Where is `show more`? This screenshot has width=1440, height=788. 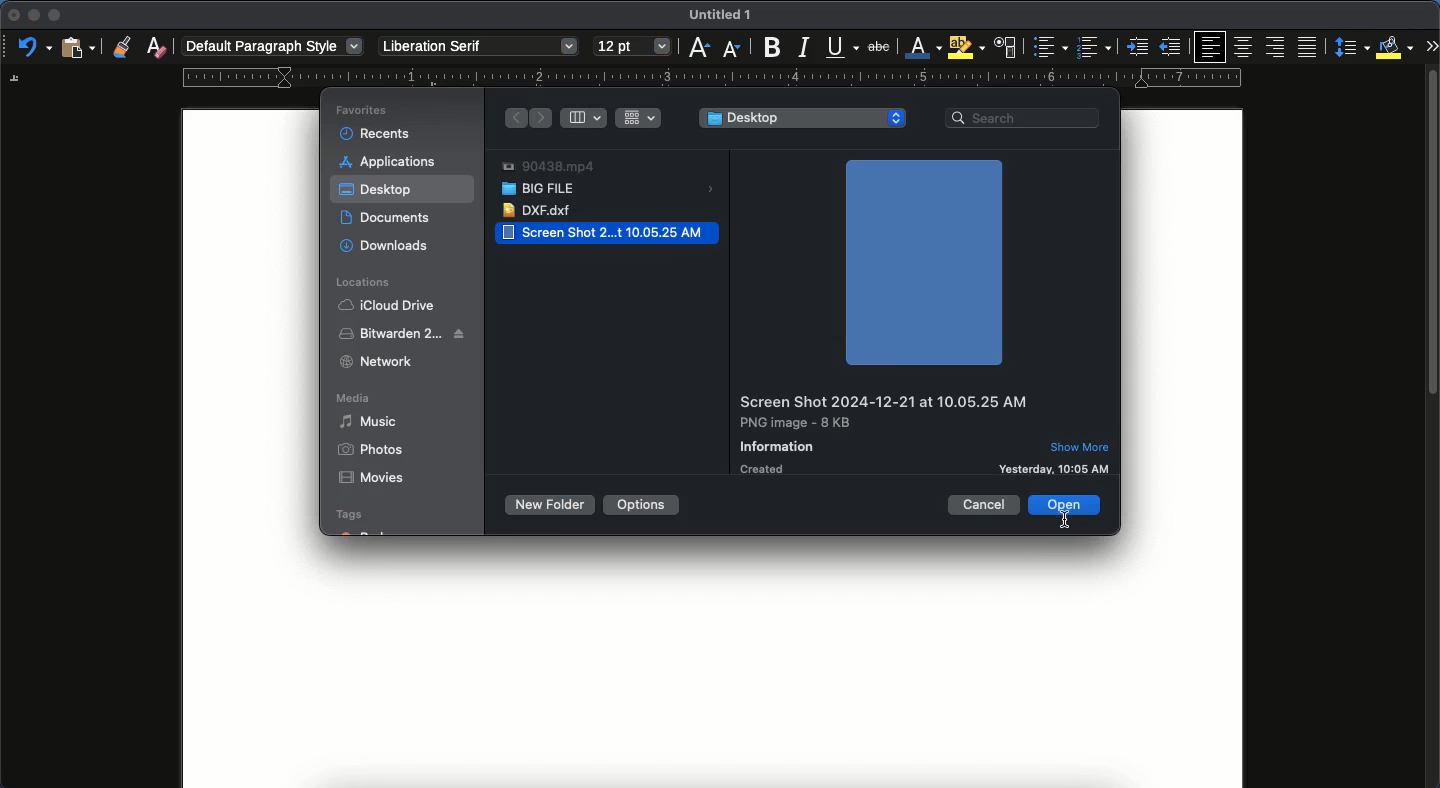
show more is located at coordinates (1084, 446).